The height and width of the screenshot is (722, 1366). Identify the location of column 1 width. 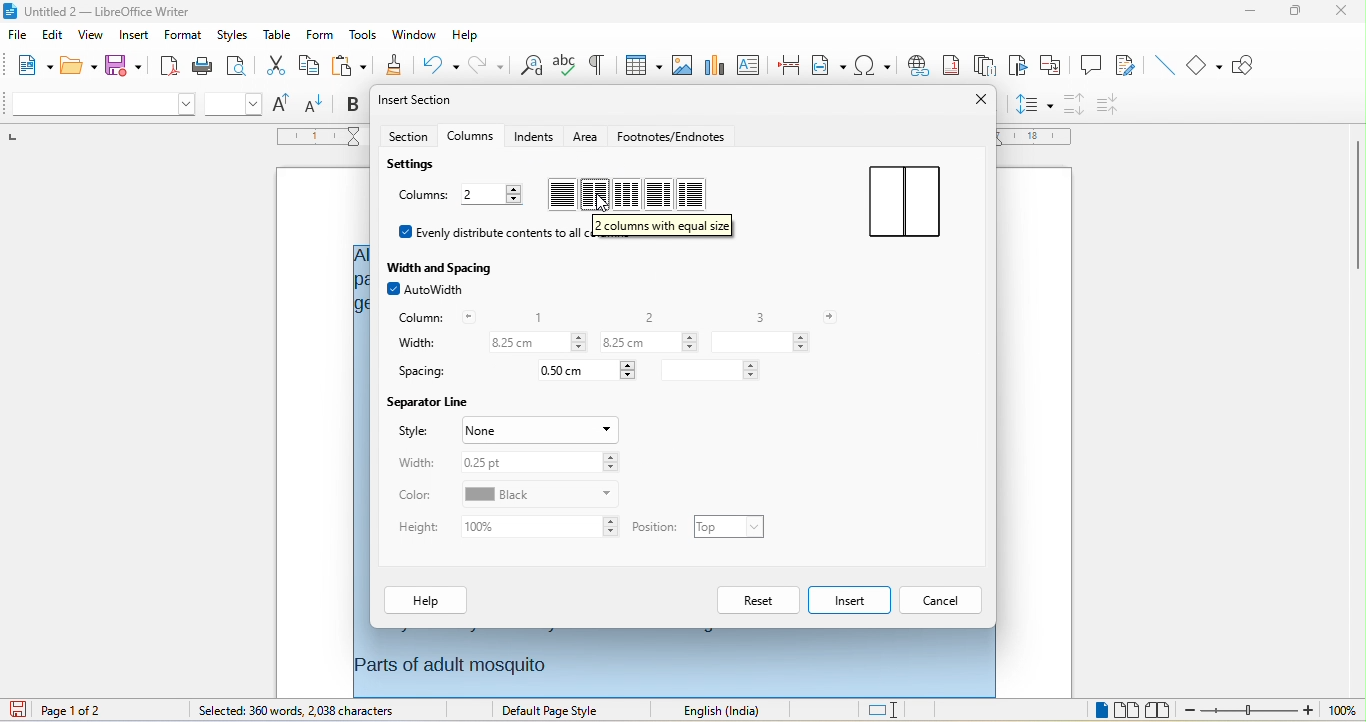
(537, 342).